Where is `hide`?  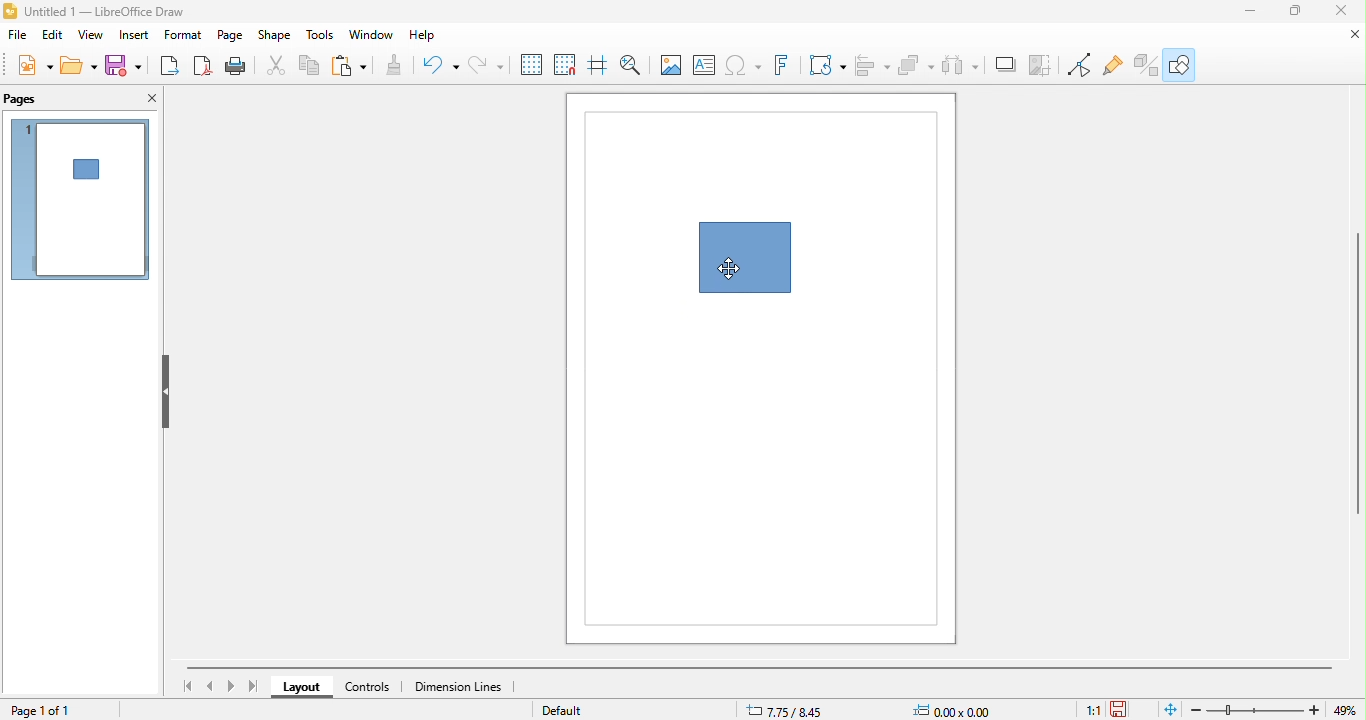
hide is located at coordinates (163, 393).